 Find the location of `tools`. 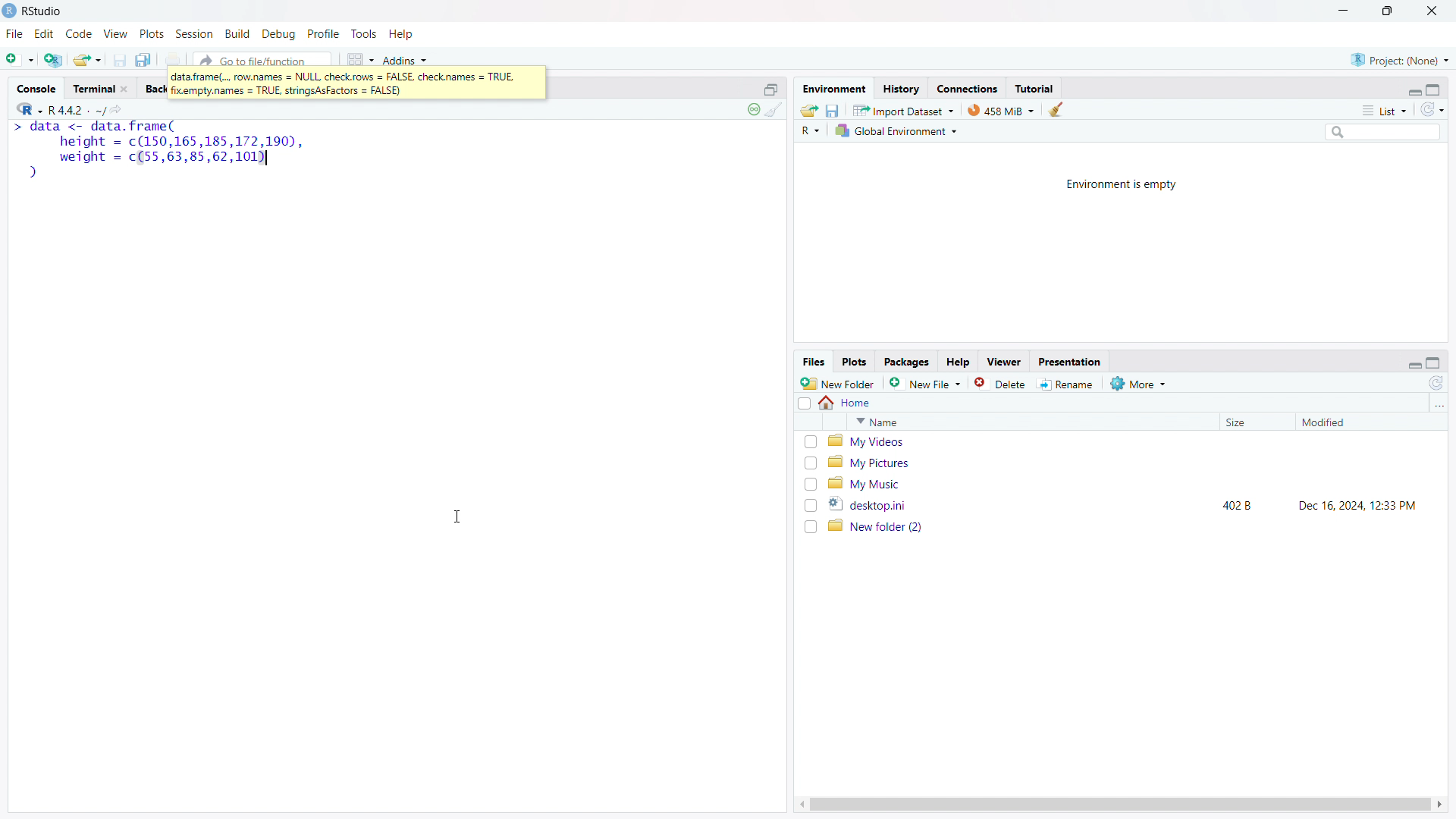

tools is located at coordinates (363, 34).